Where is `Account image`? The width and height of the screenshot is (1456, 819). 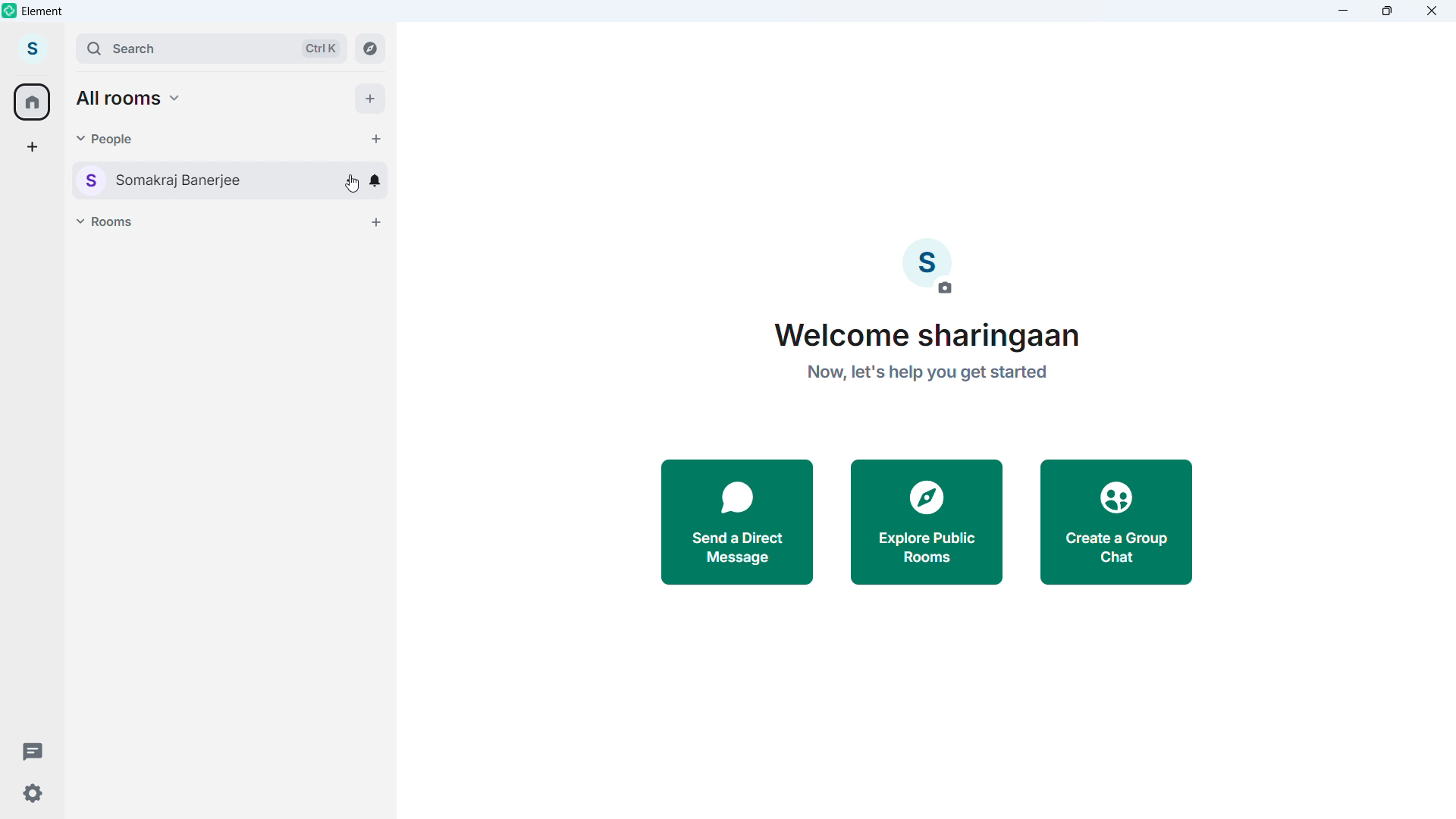
Account image is located at coordinates (928, 266).